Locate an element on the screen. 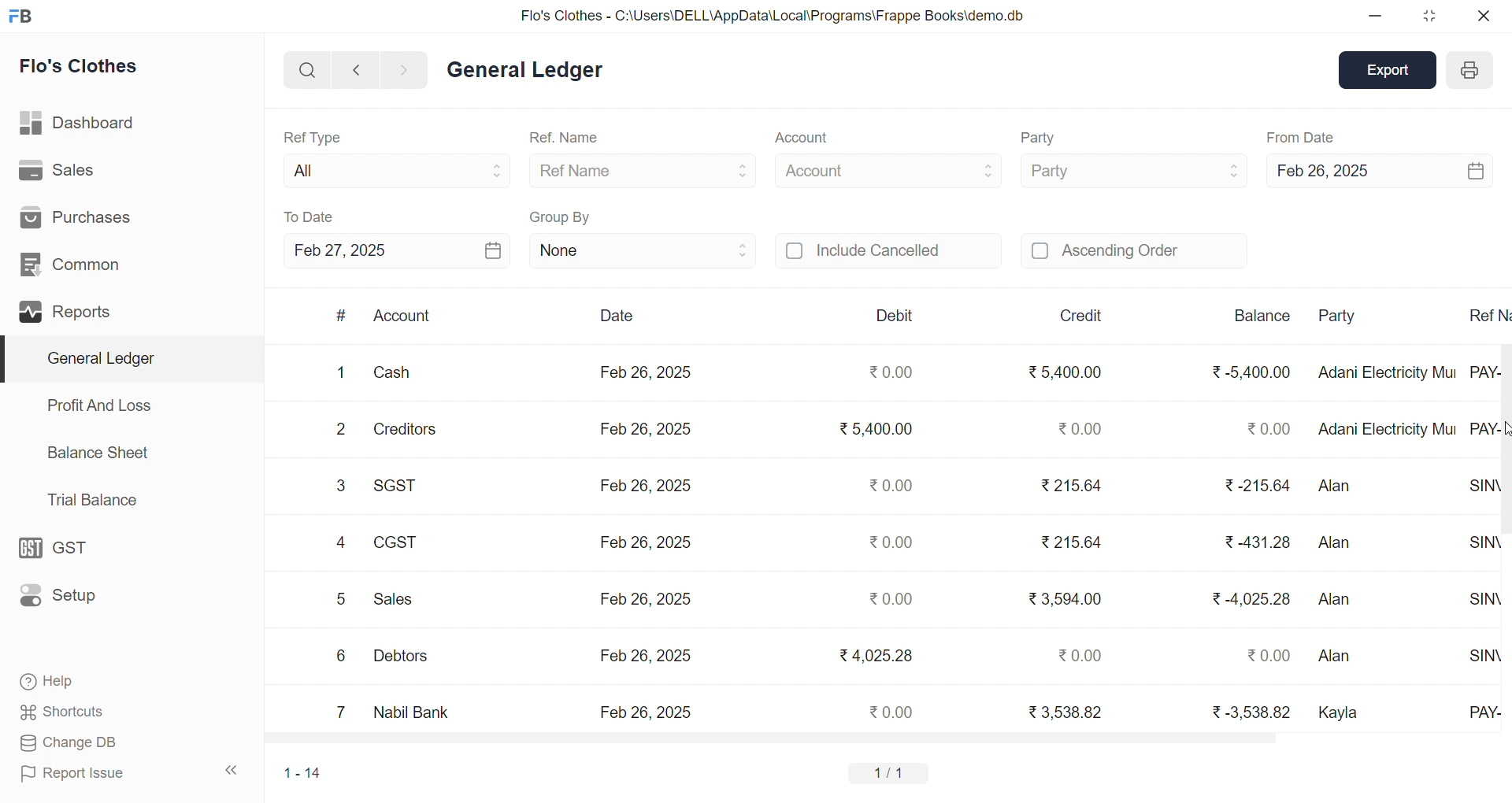  SEARCH is located at coordinates (306, 68).